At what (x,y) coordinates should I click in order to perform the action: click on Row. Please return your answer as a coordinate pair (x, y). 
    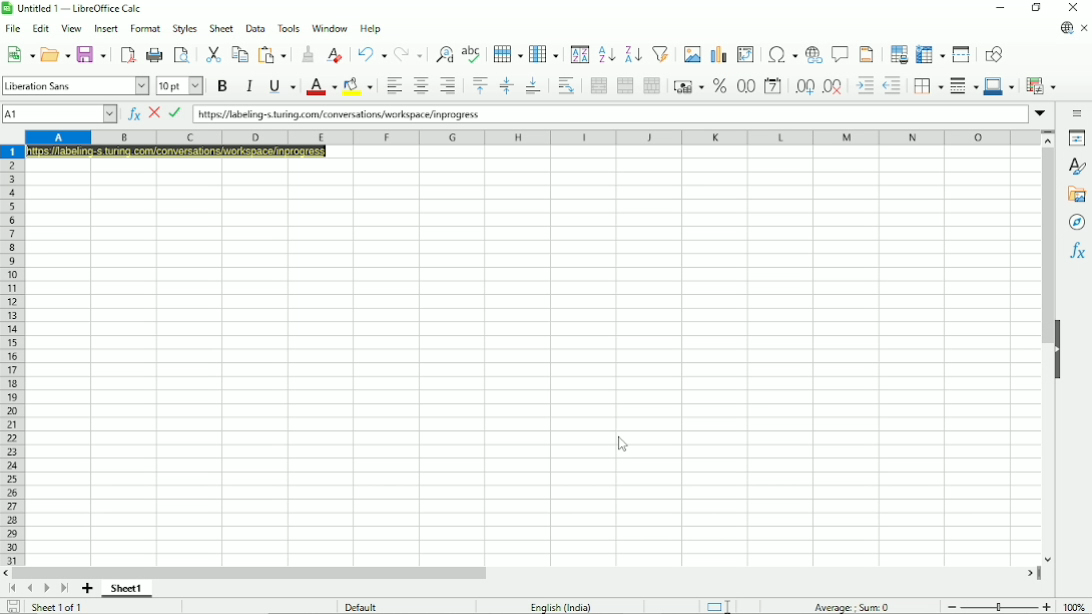
    Looking at the image, I should click on (508, 53).